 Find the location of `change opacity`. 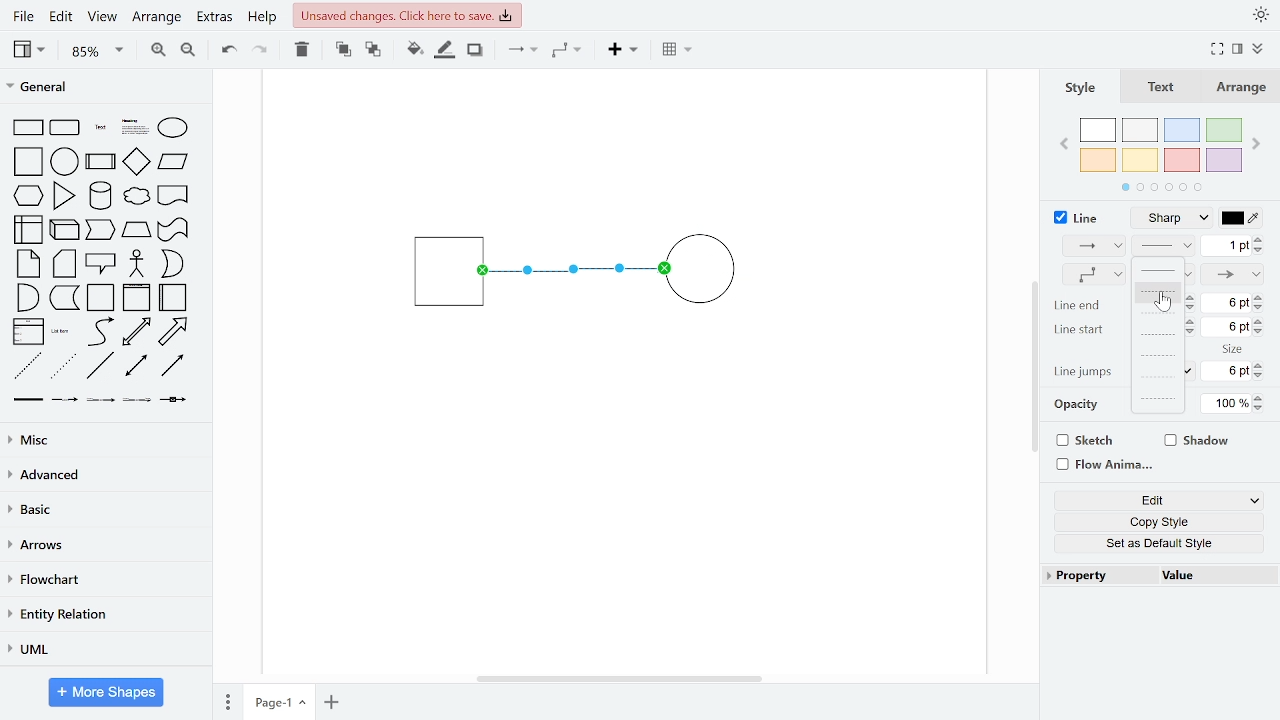

change opacity is located at coordinates (1234, 404).